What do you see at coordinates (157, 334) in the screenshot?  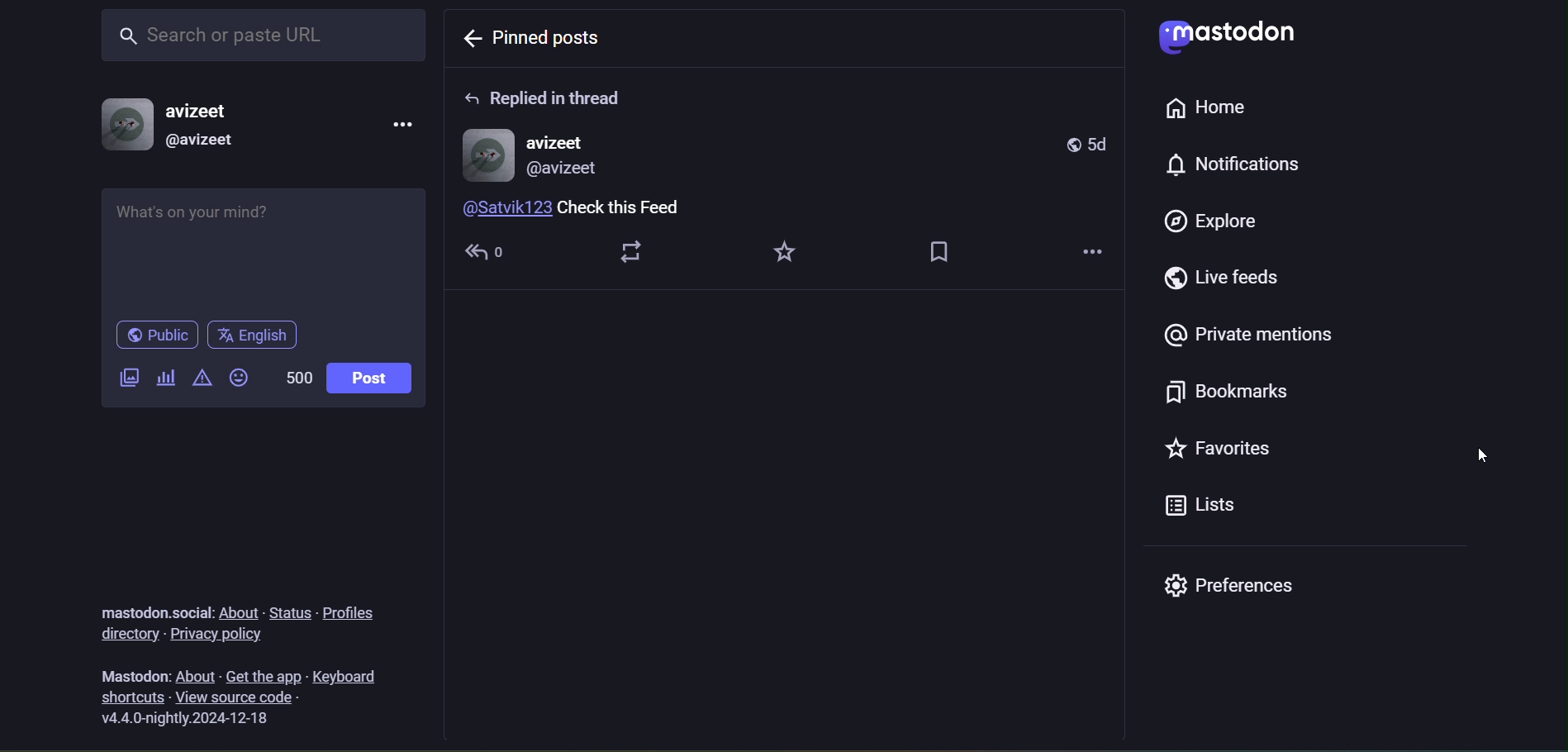 I see `public ` at bounding box center [157, 334].